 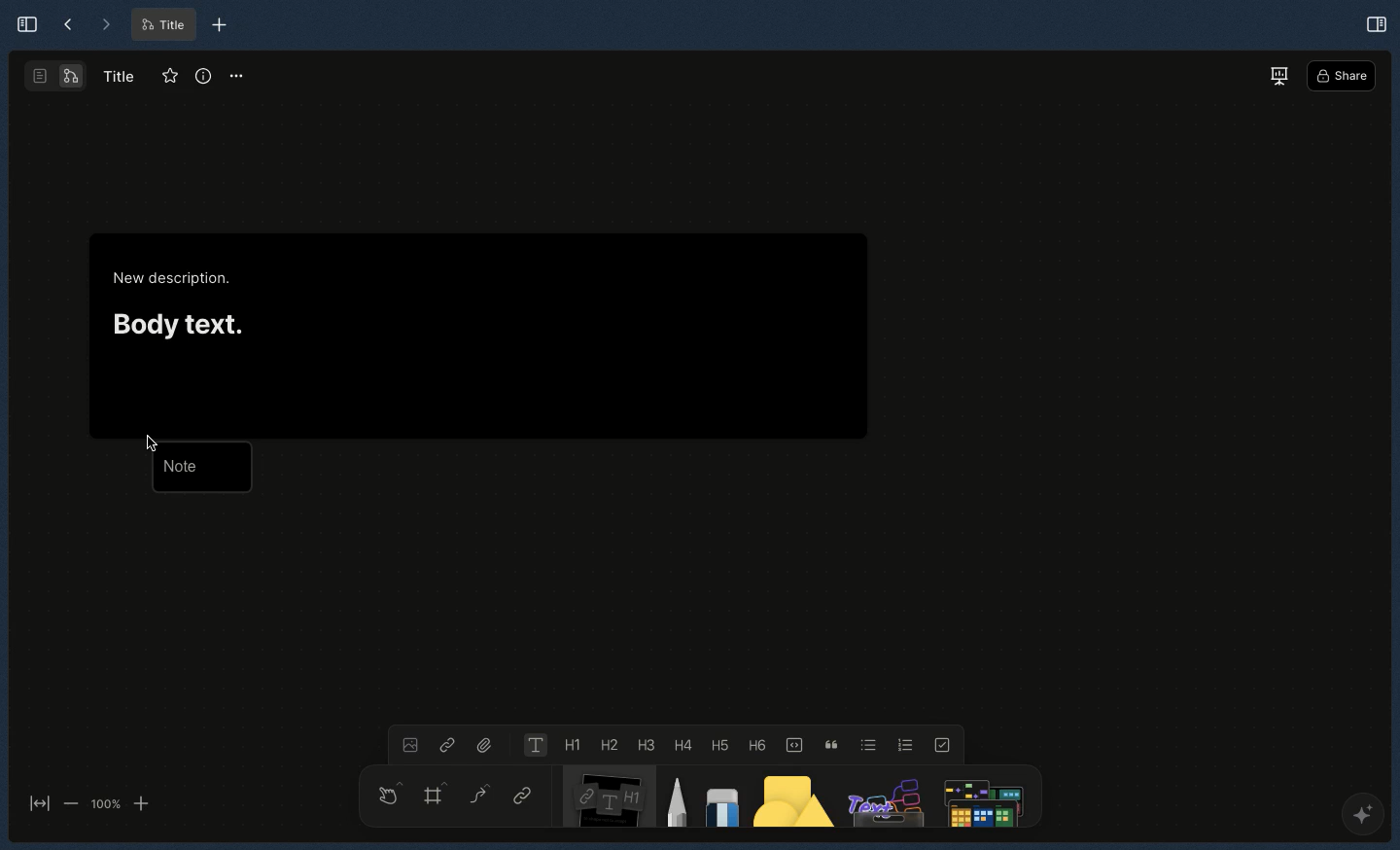 What do you see at coordinates (385, 791) in the screenshot?
I see `Hand` at bounding box center [385, 791].